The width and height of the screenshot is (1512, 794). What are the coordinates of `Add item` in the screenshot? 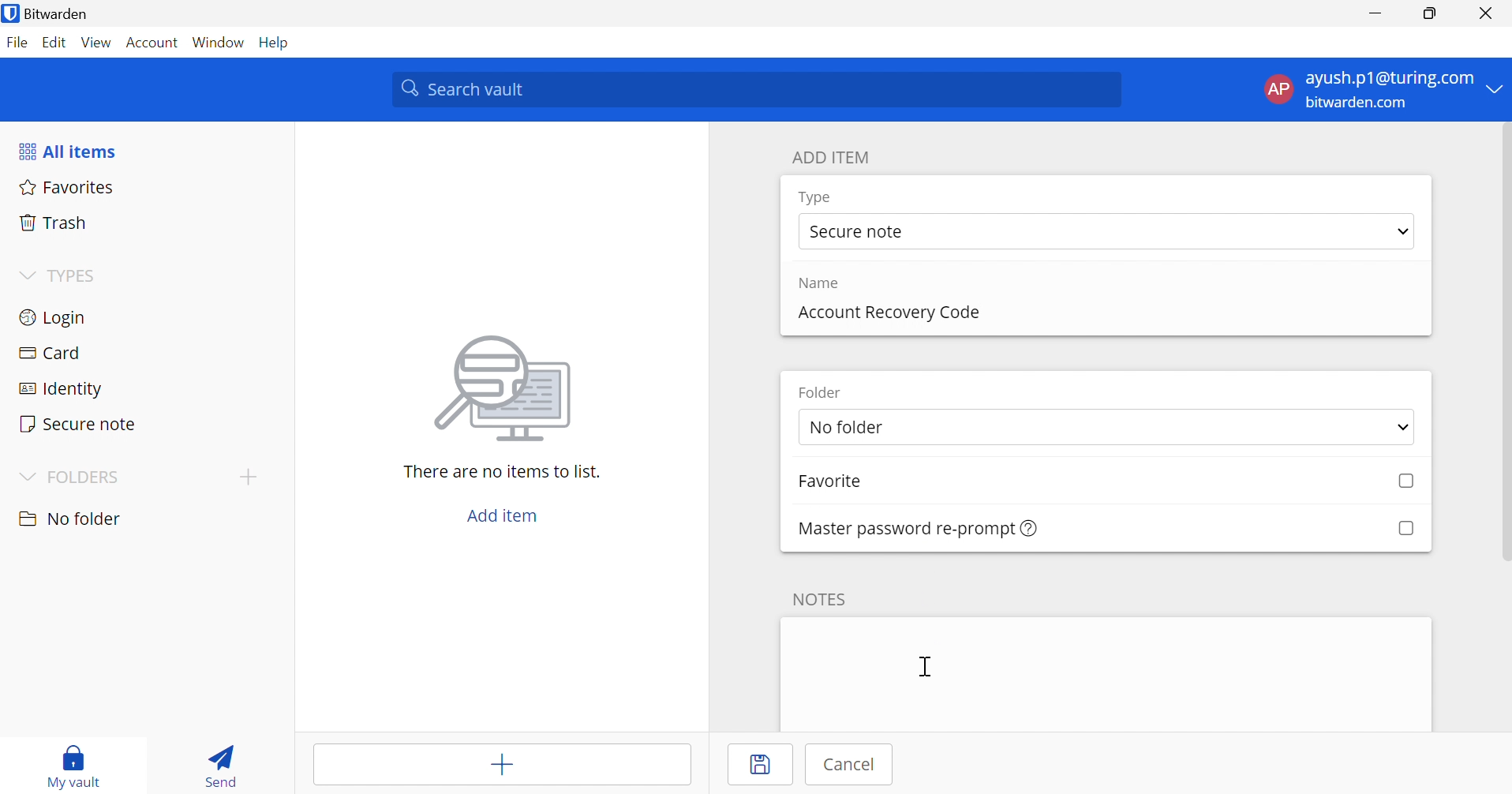 It's located at (501, 516).